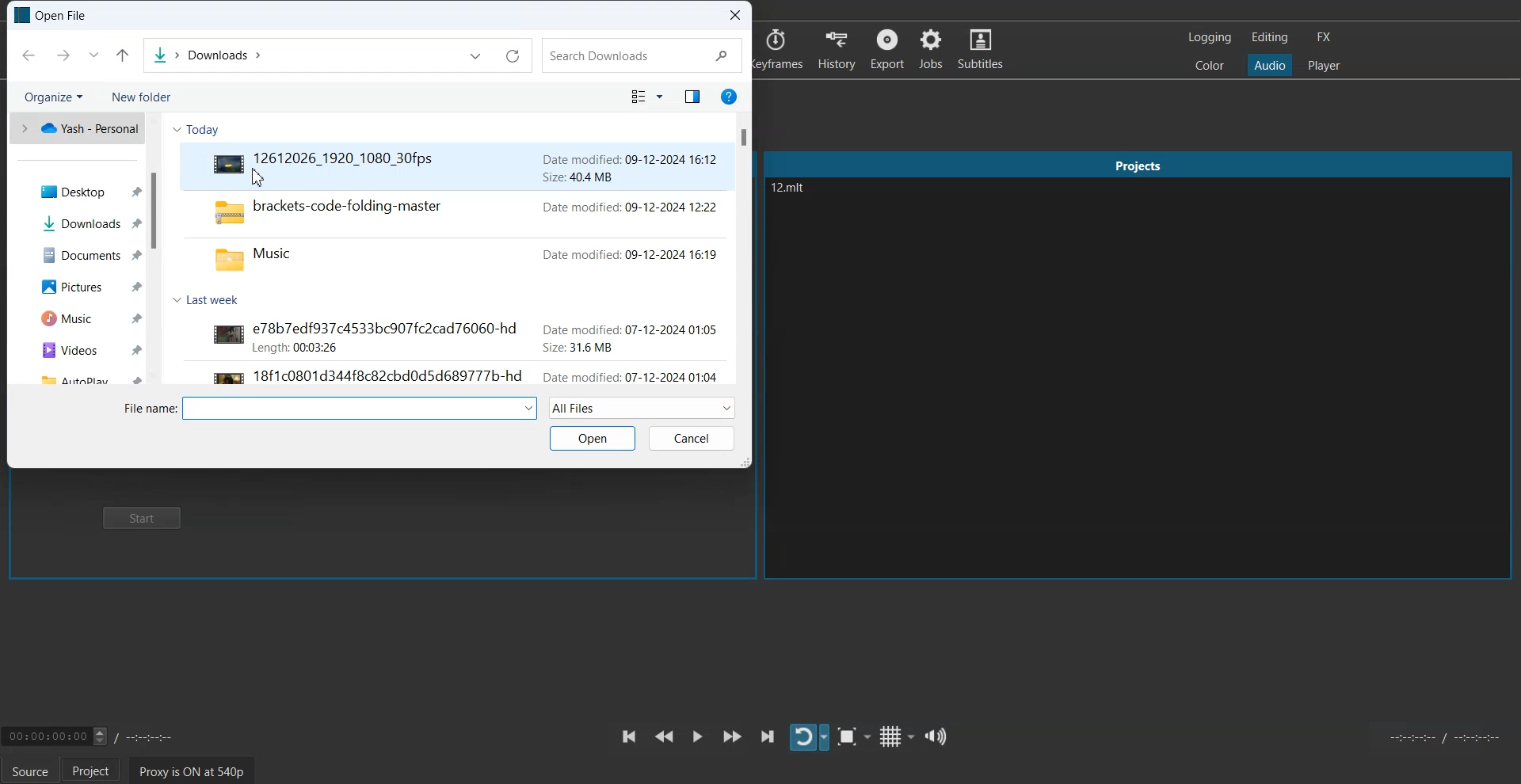 The image size is (1521, 784). I want to click on History, so click(837, 48).